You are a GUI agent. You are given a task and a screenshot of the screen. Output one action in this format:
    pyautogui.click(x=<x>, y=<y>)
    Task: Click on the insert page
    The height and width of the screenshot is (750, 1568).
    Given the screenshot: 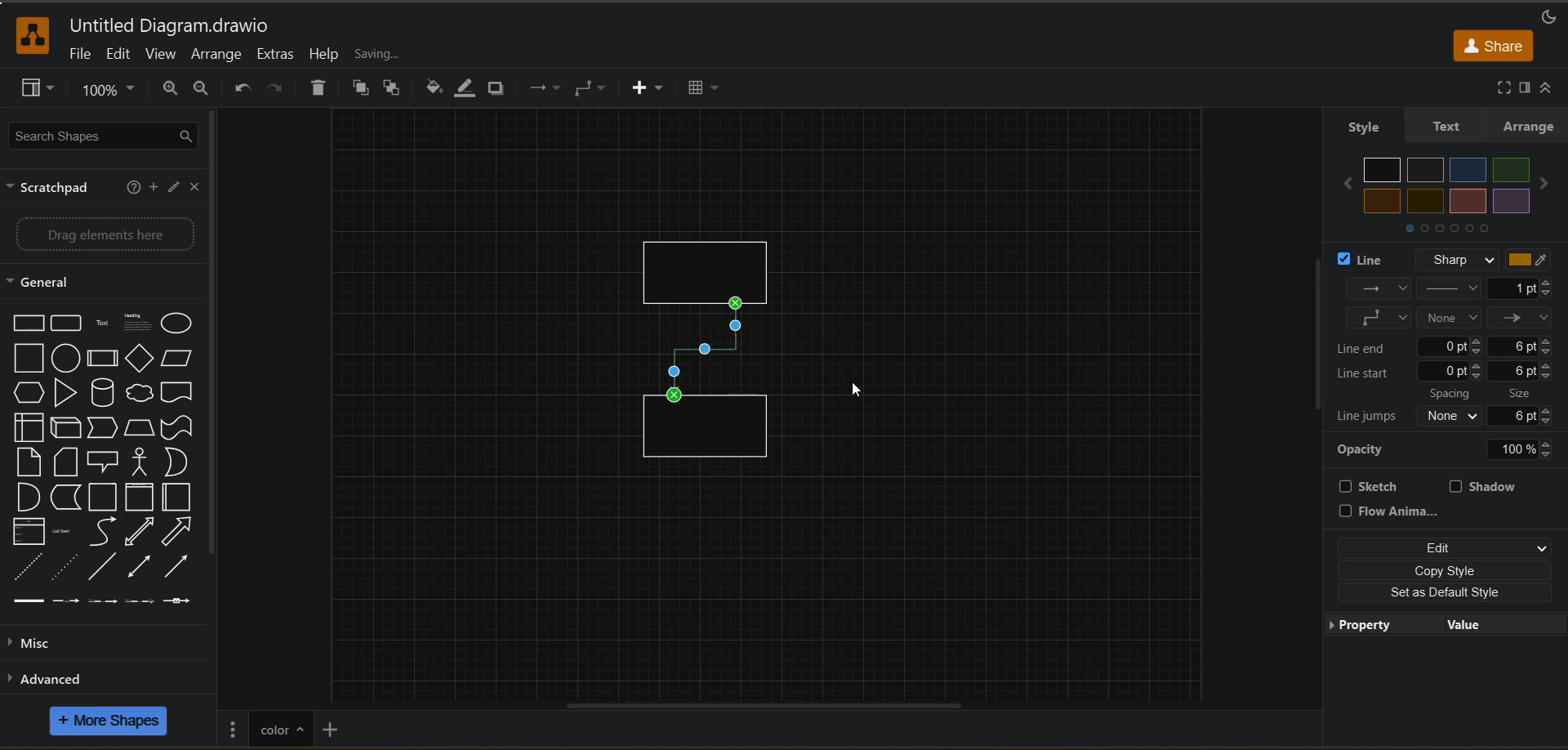 What is the action you would take?
    pyautogui.click(x=332, y=728)
    